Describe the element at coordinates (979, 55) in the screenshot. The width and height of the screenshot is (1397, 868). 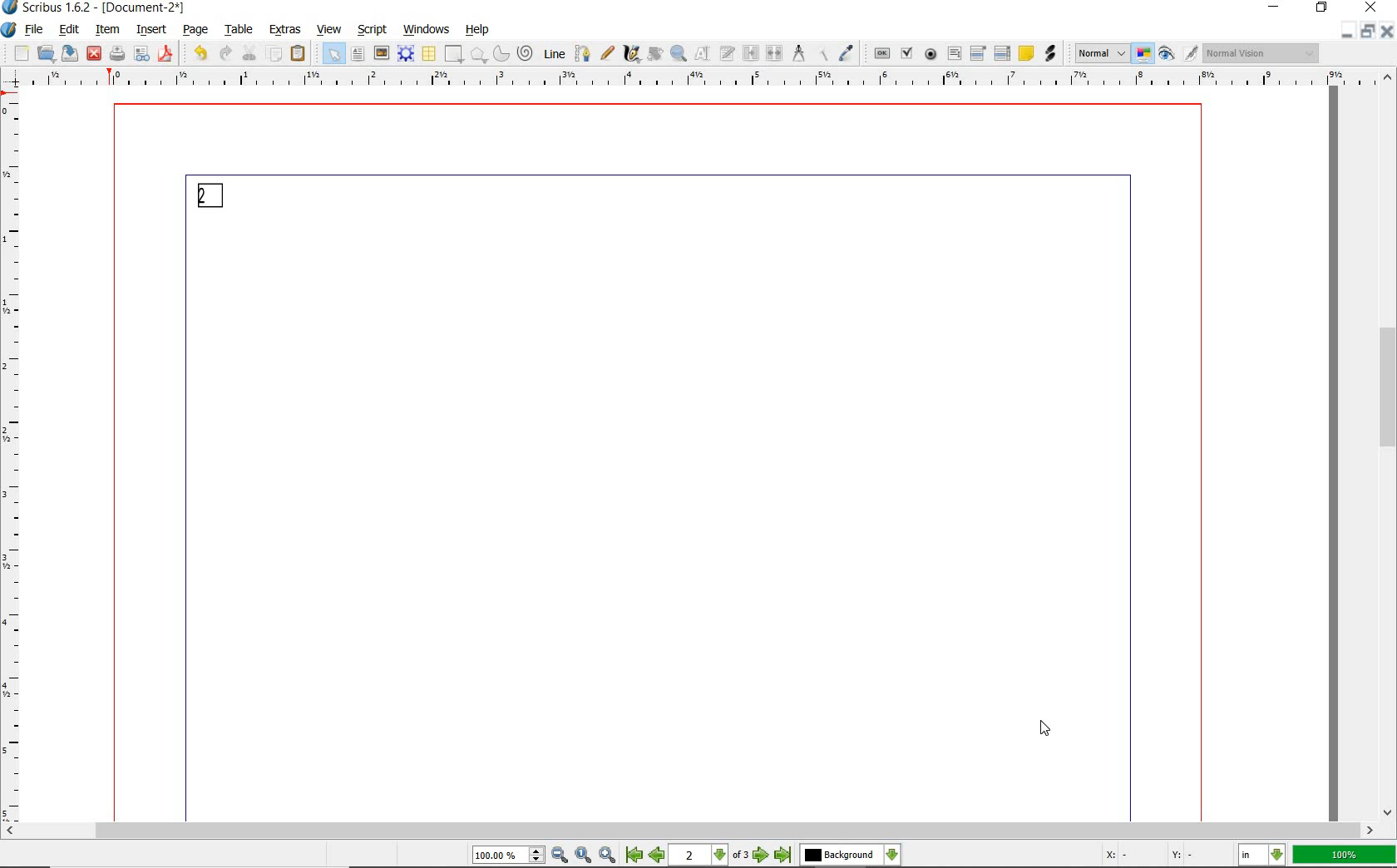
I see `pdf combo box` at that location.